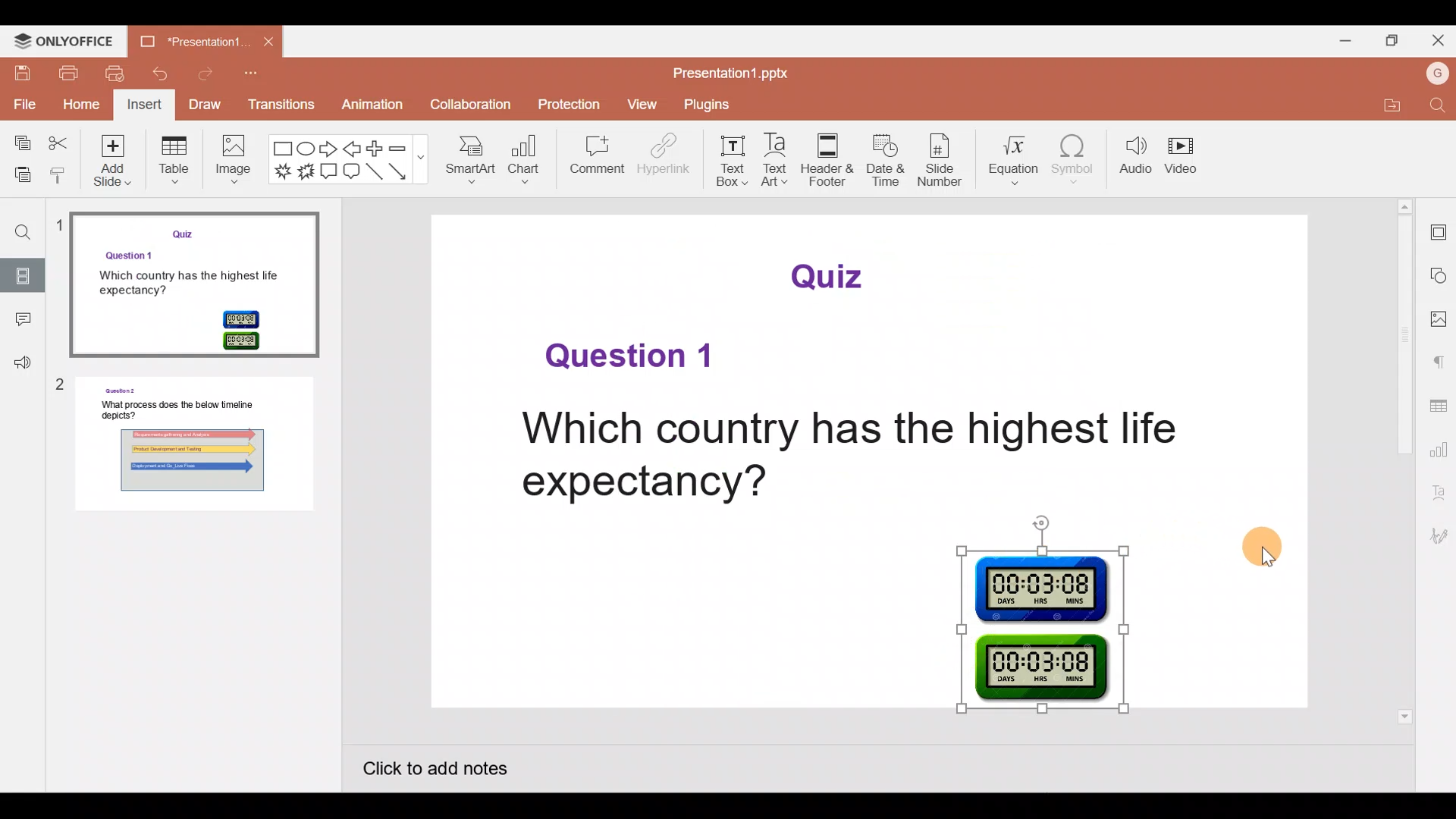 The image size is (1456, 819). Describe the element at coordinates (278, 171) in the screenshot. I see `Explosion 1` at that location.